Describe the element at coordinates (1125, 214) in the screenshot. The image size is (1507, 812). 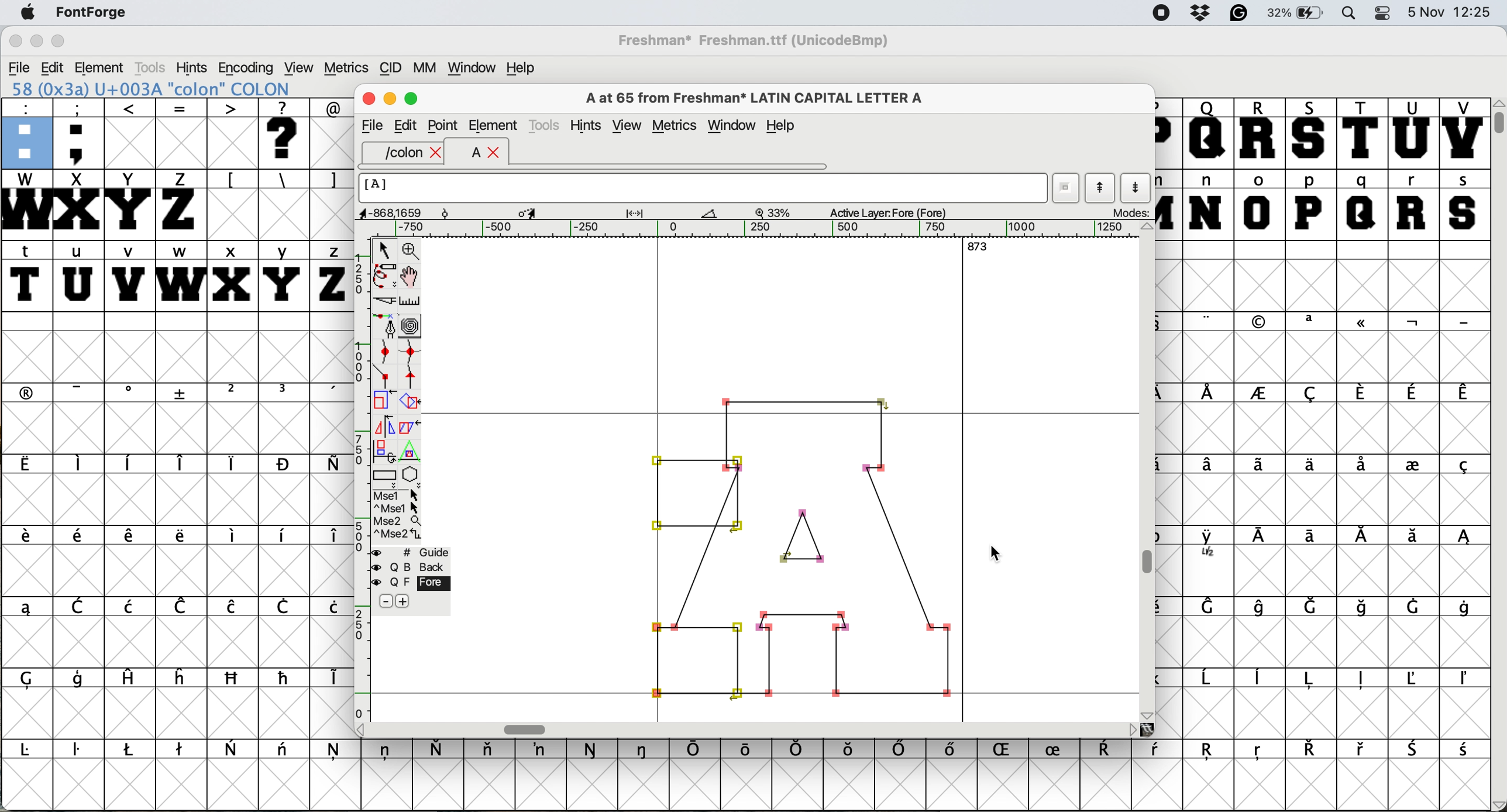
I see `modes` at that location.